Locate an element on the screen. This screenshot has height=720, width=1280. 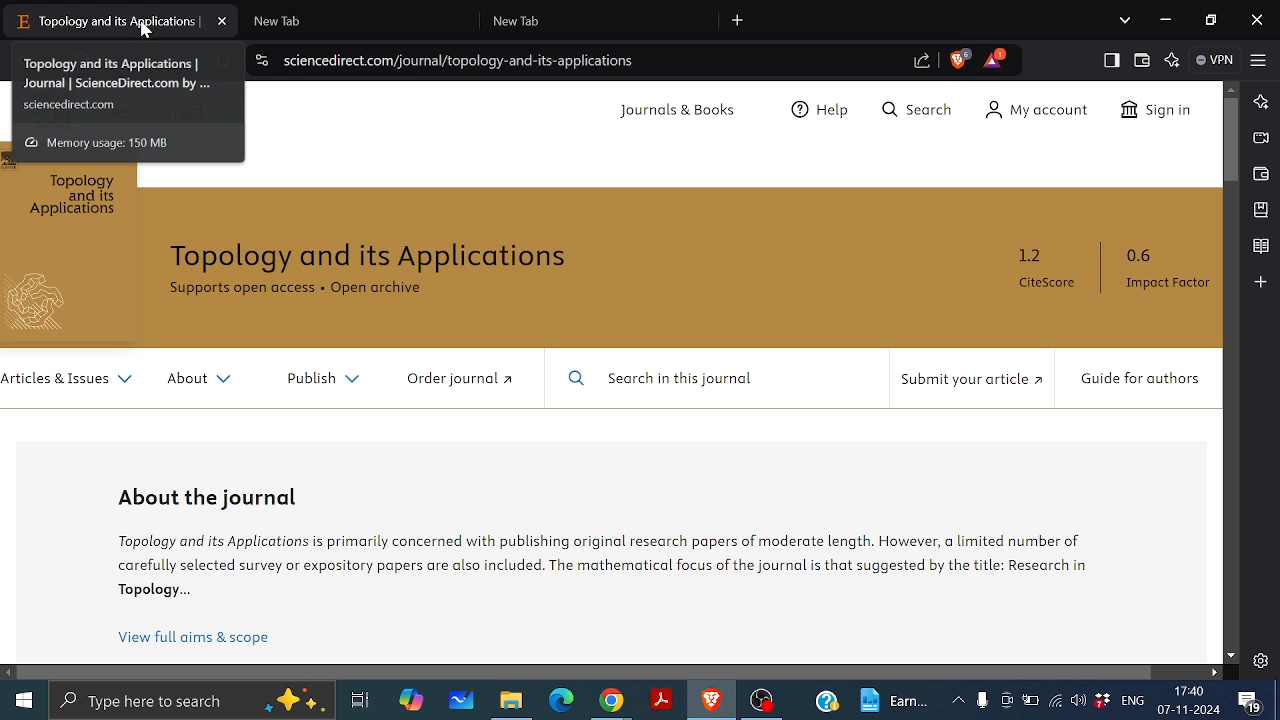
show hidden icons is located at coordinates (958, 699).